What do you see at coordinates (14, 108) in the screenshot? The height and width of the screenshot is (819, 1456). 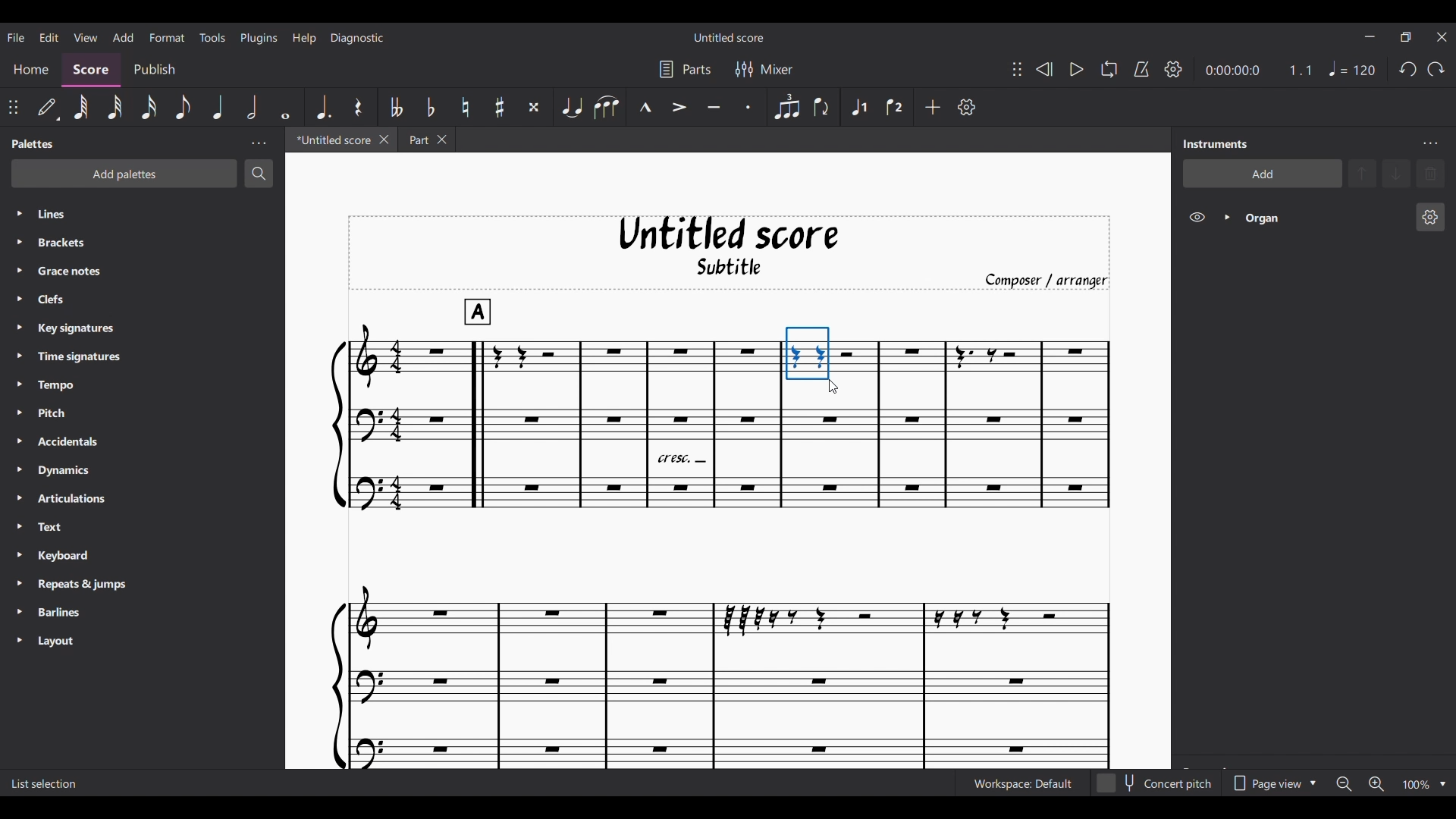 I see `Change position of toolbar attached` at bounding box center [14, 108].